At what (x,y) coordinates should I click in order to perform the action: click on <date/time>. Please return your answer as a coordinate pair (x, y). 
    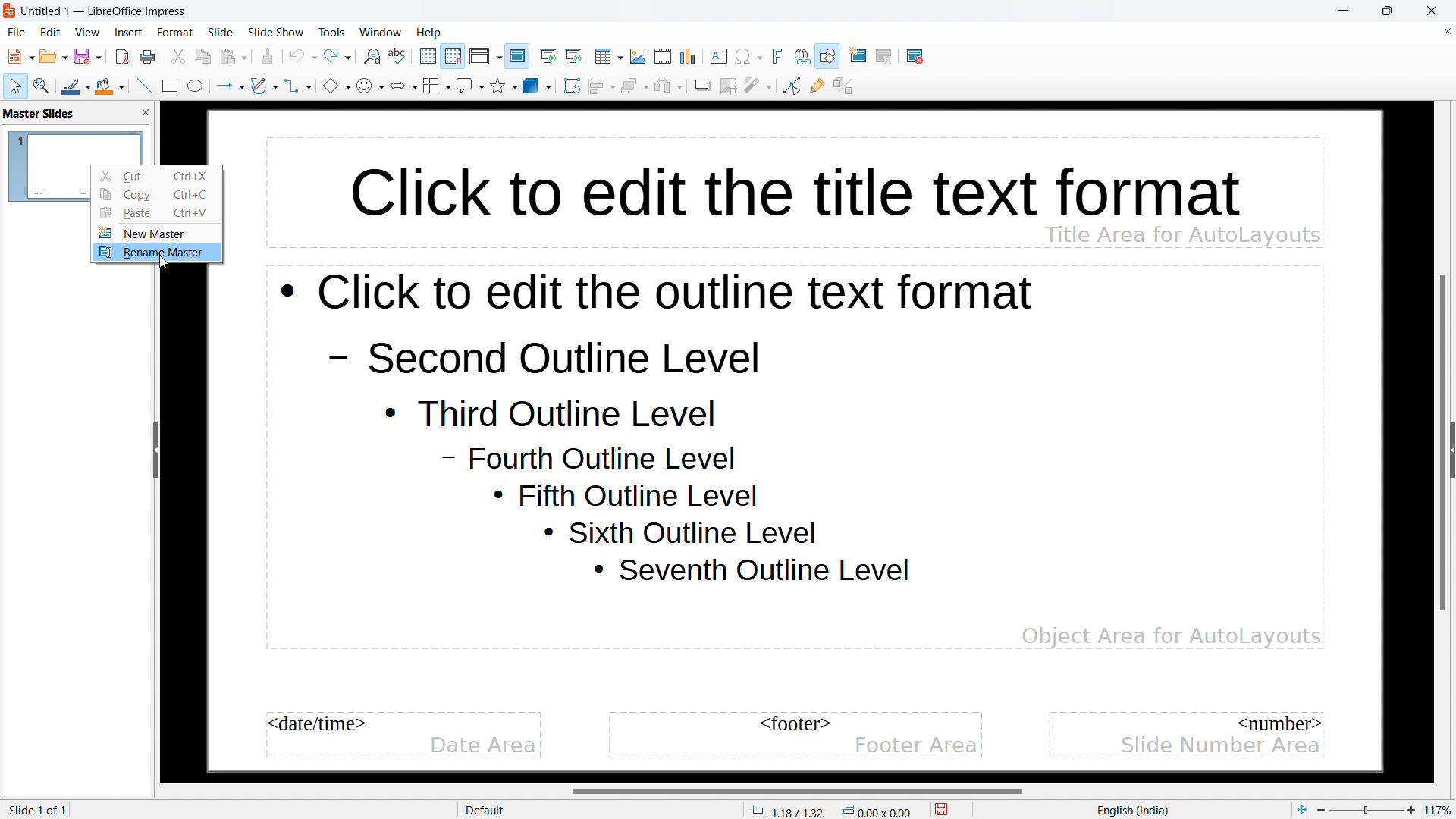
    Looking at the image, I should click on (320, 724).